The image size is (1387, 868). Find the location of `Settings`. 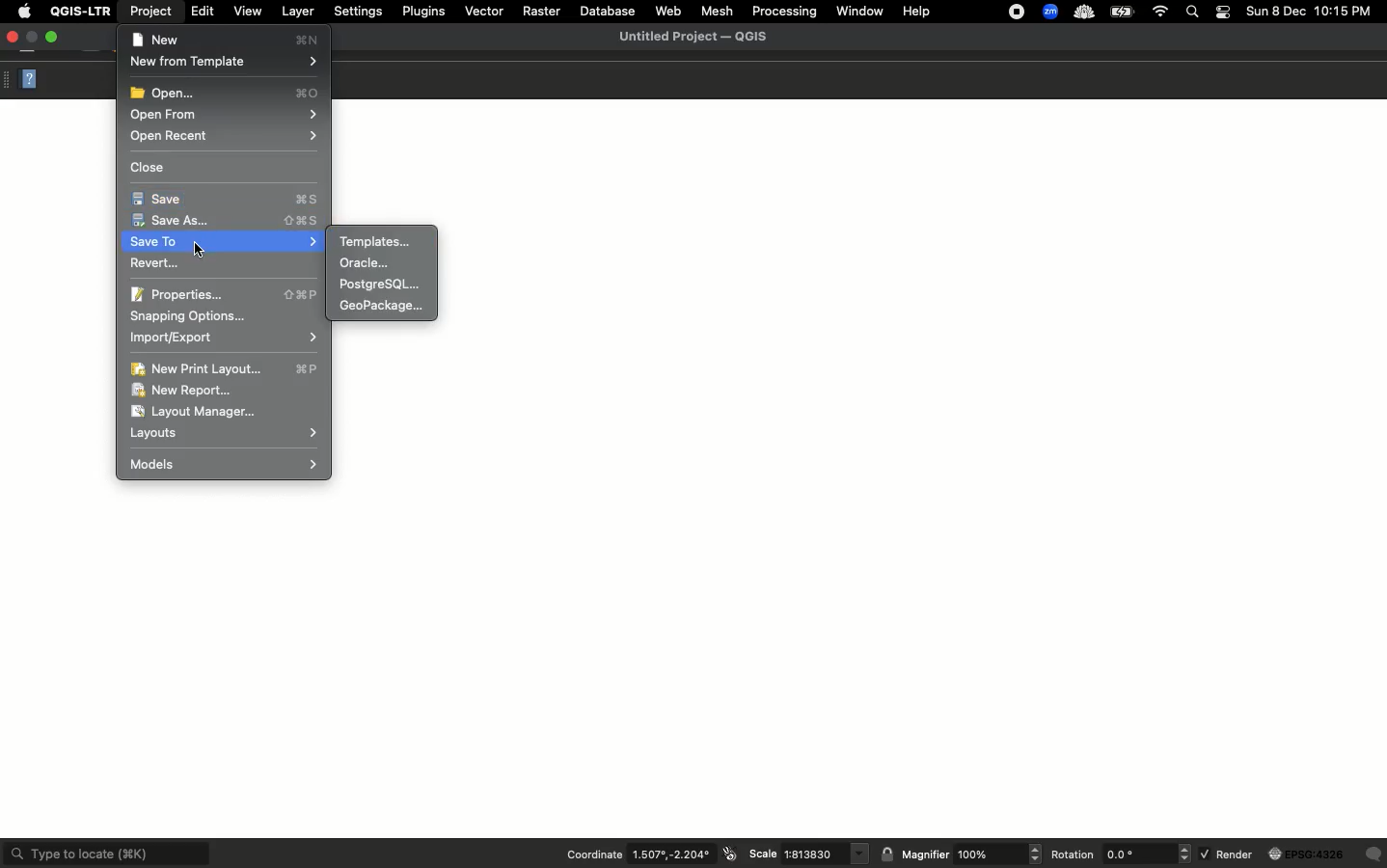

Settings is located at coordinates (358, 11).